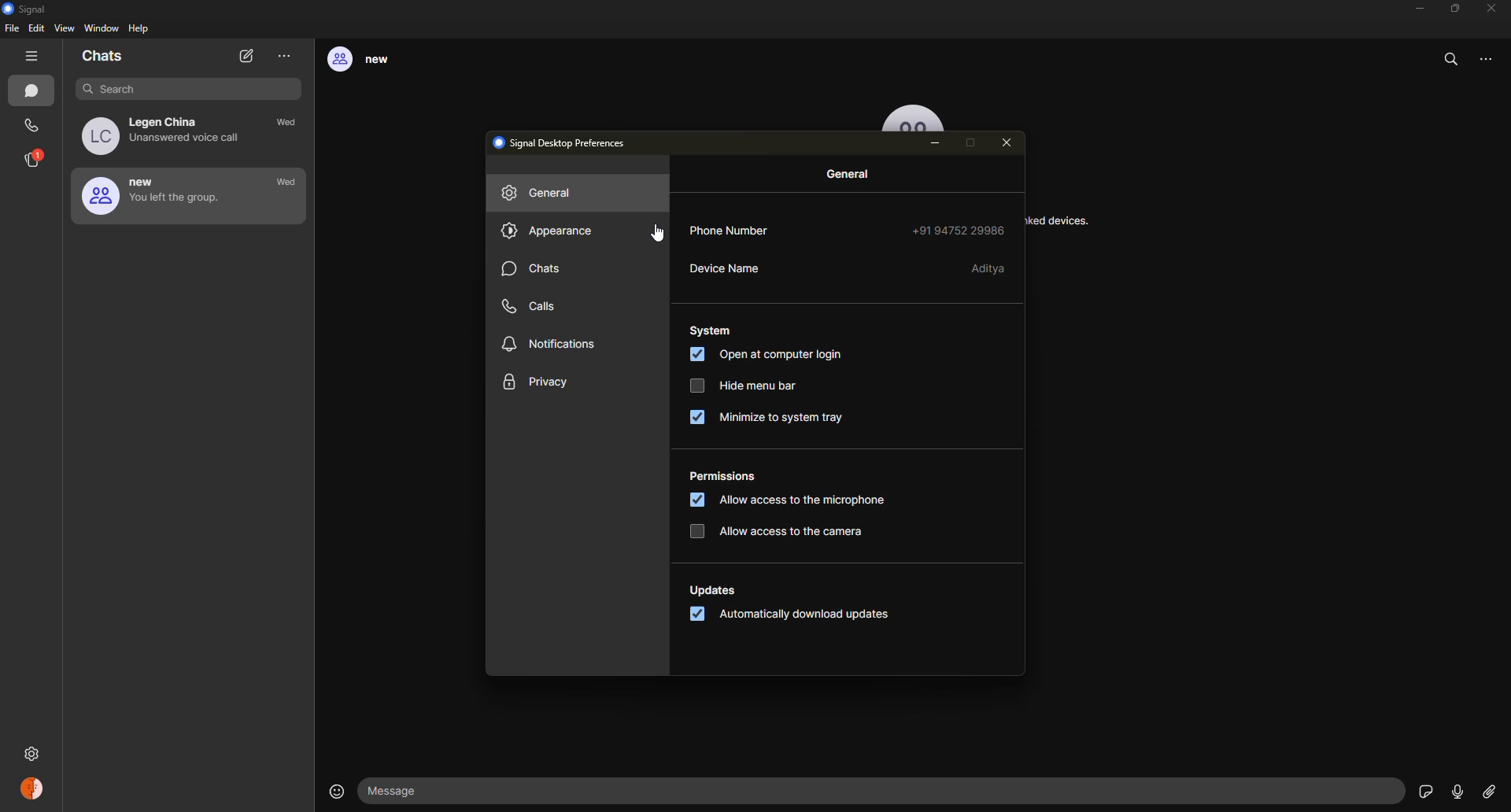 The width and height of the screenshot is (1511, 812). What do you see at coordinates (1488, 792) in the screenshot?
I see `attach` at bounding box center [1488, 792].